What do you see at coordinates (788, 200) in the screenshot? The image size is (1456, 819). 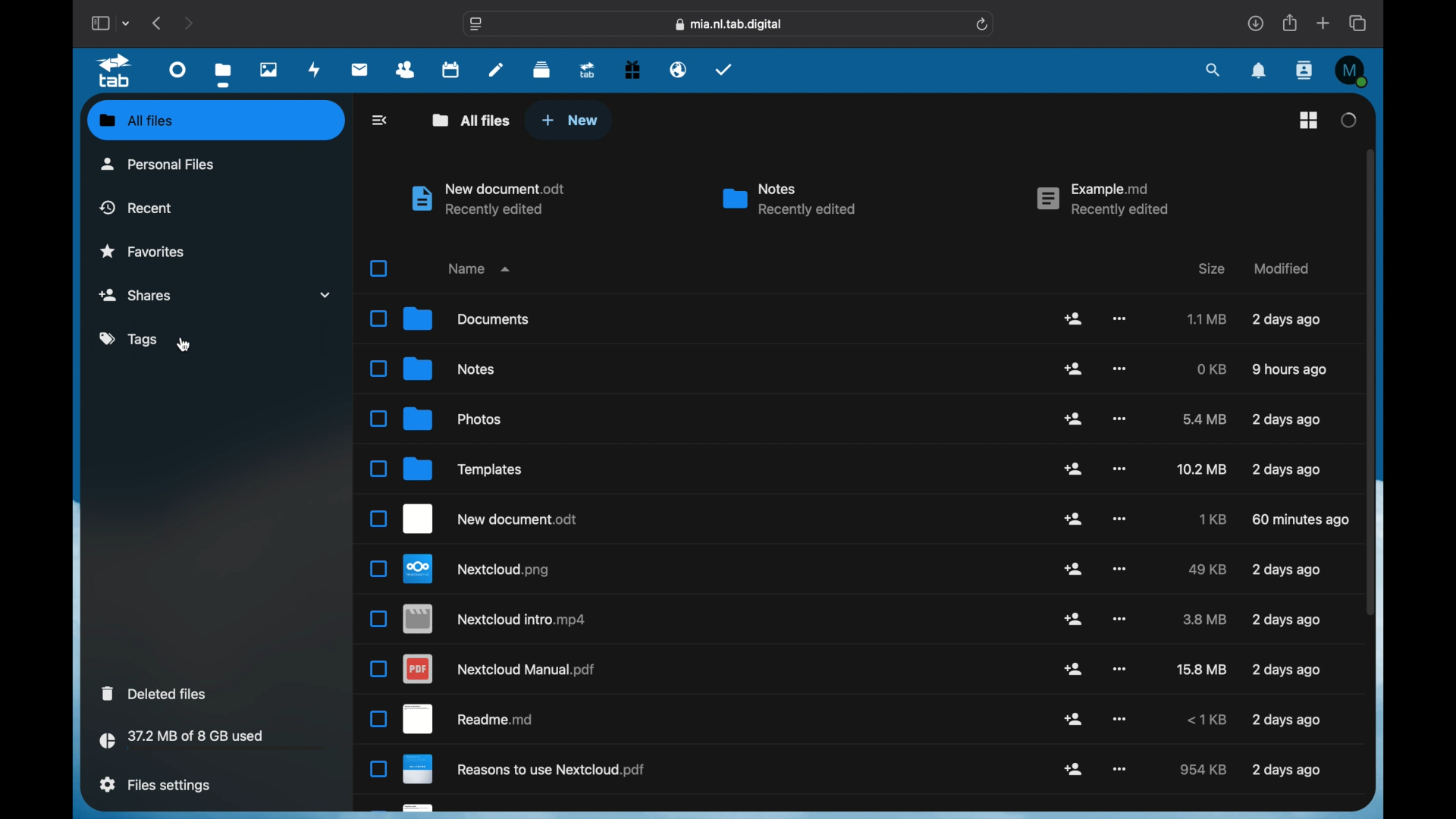 I see `notes` at bounding box center [788, 200].